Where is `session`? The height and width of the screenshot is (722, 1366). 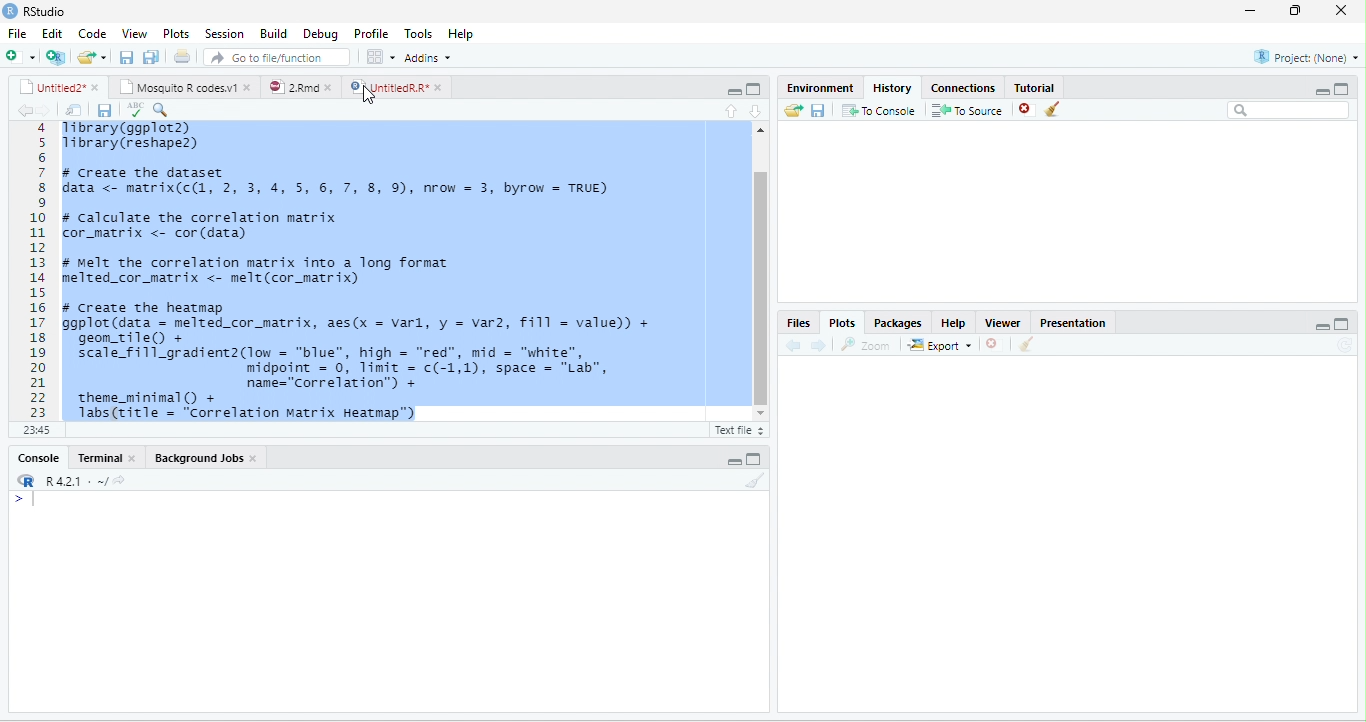
session is located at coordinates (224, 33).